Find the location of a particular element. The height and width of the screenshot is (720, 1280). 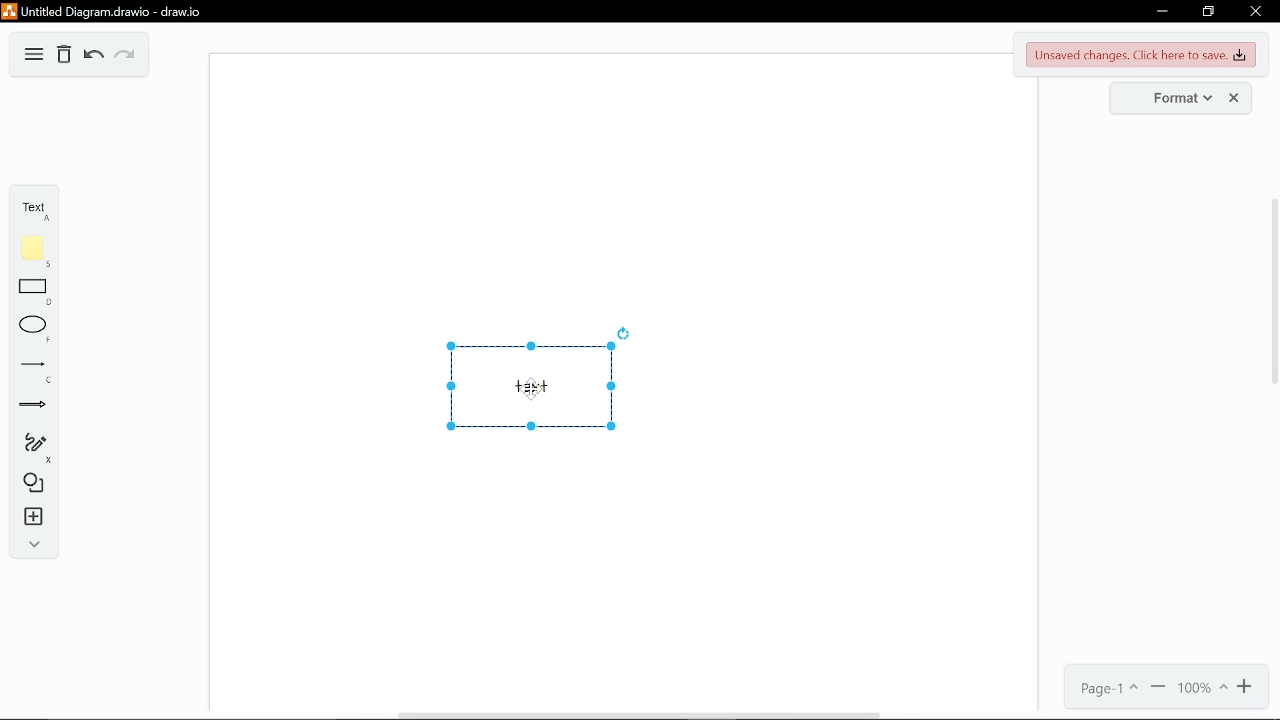

untitiled diagram.drawio - draw.io is located at coordinates (107, 11).